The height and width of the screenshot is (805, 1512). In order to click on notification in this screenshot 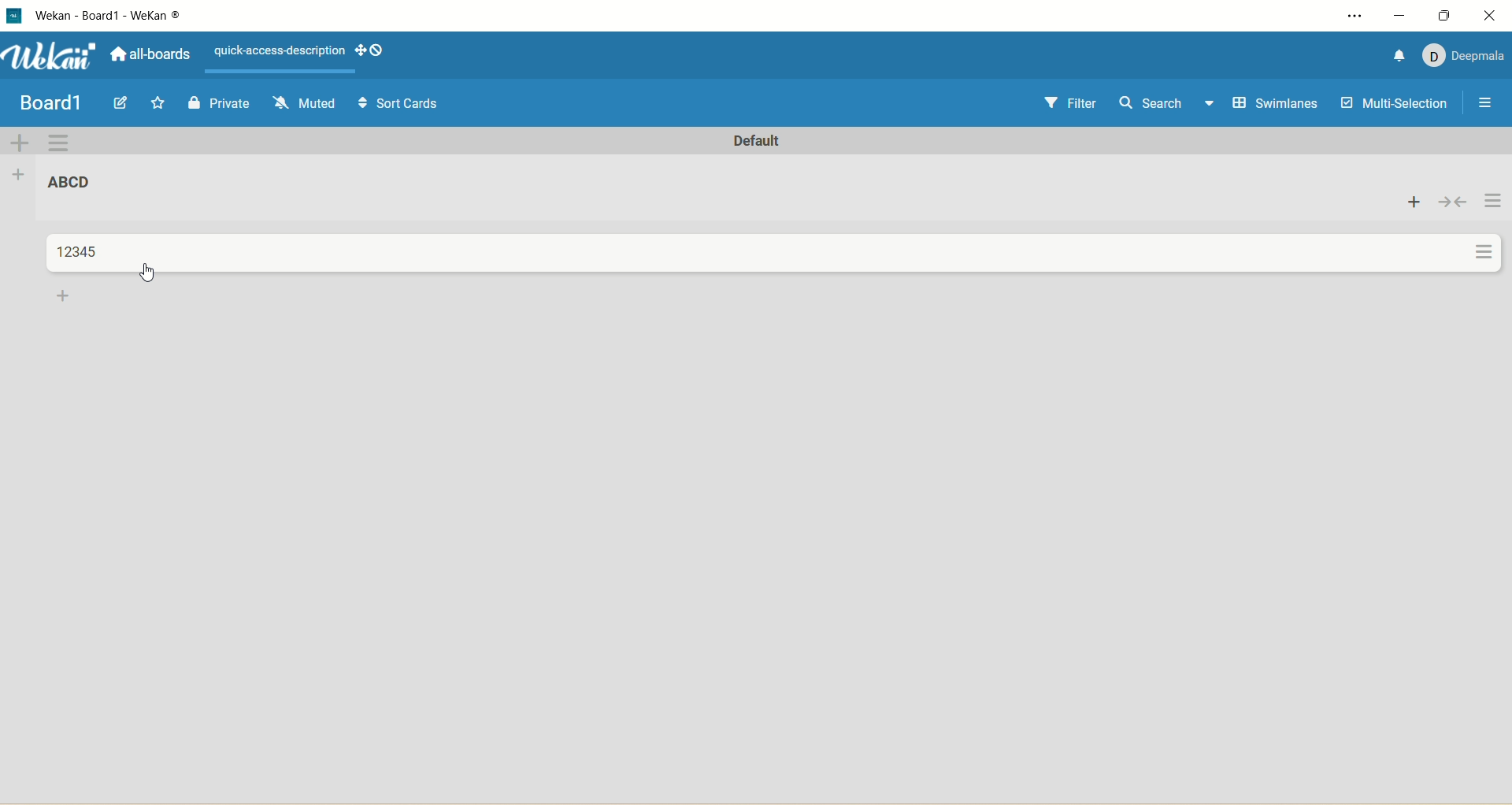, I will do `click(1393, 54)`.